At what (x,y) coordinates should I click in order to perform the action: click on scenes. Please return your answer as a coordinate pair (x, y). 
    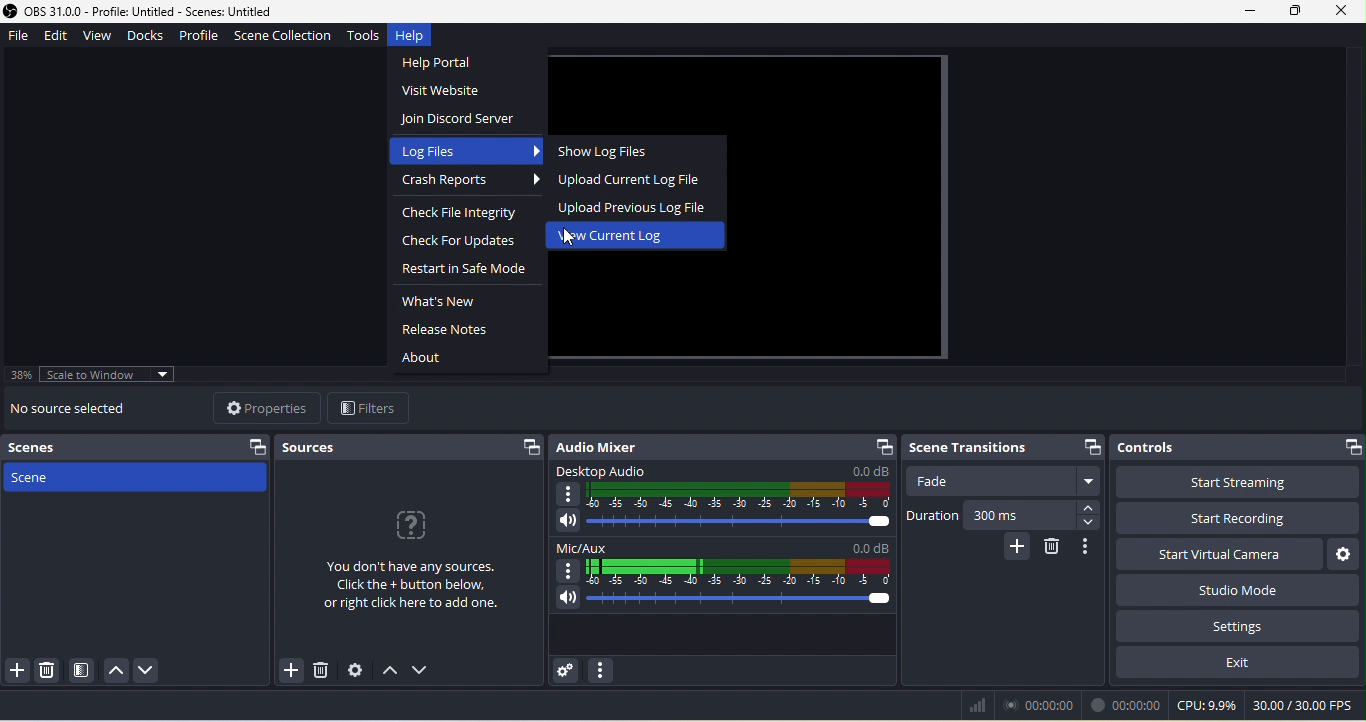
    Looking at the image, I should click on (140, 447).